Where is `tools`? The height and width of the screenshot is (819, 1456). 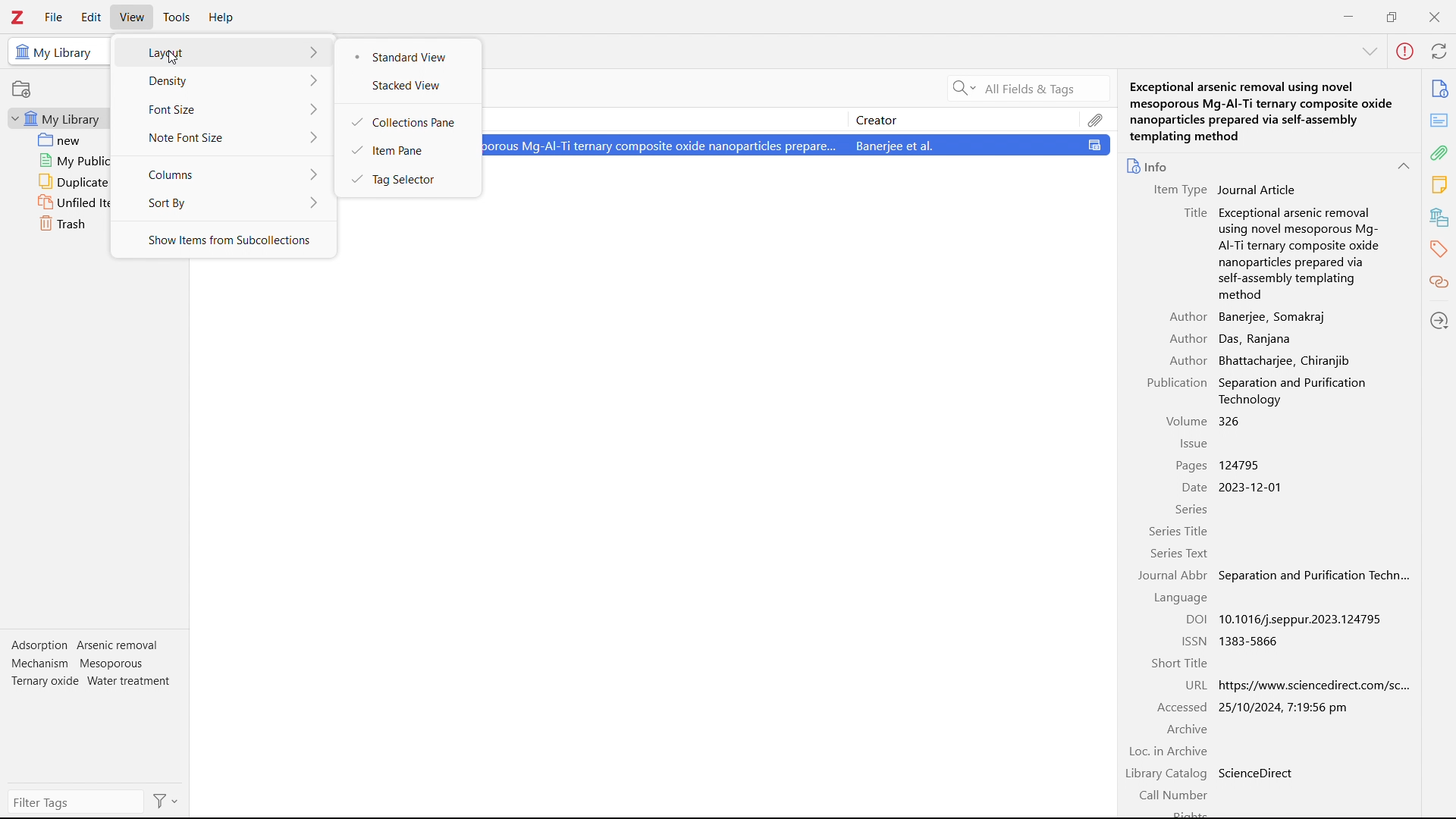 tools is located at coordinates (177, 17).